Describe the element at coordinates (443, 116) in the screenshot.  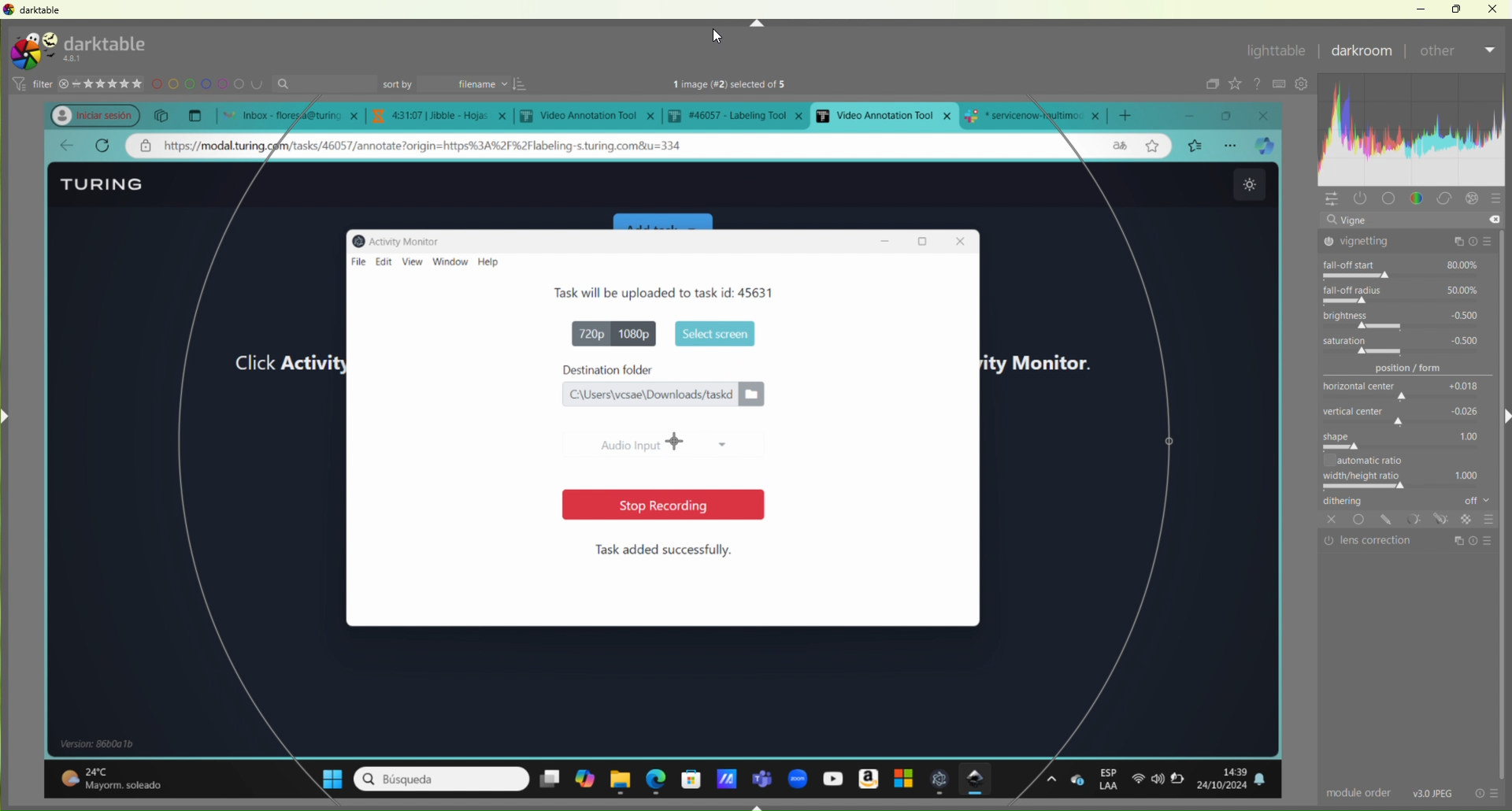
I see `tab` at that location.